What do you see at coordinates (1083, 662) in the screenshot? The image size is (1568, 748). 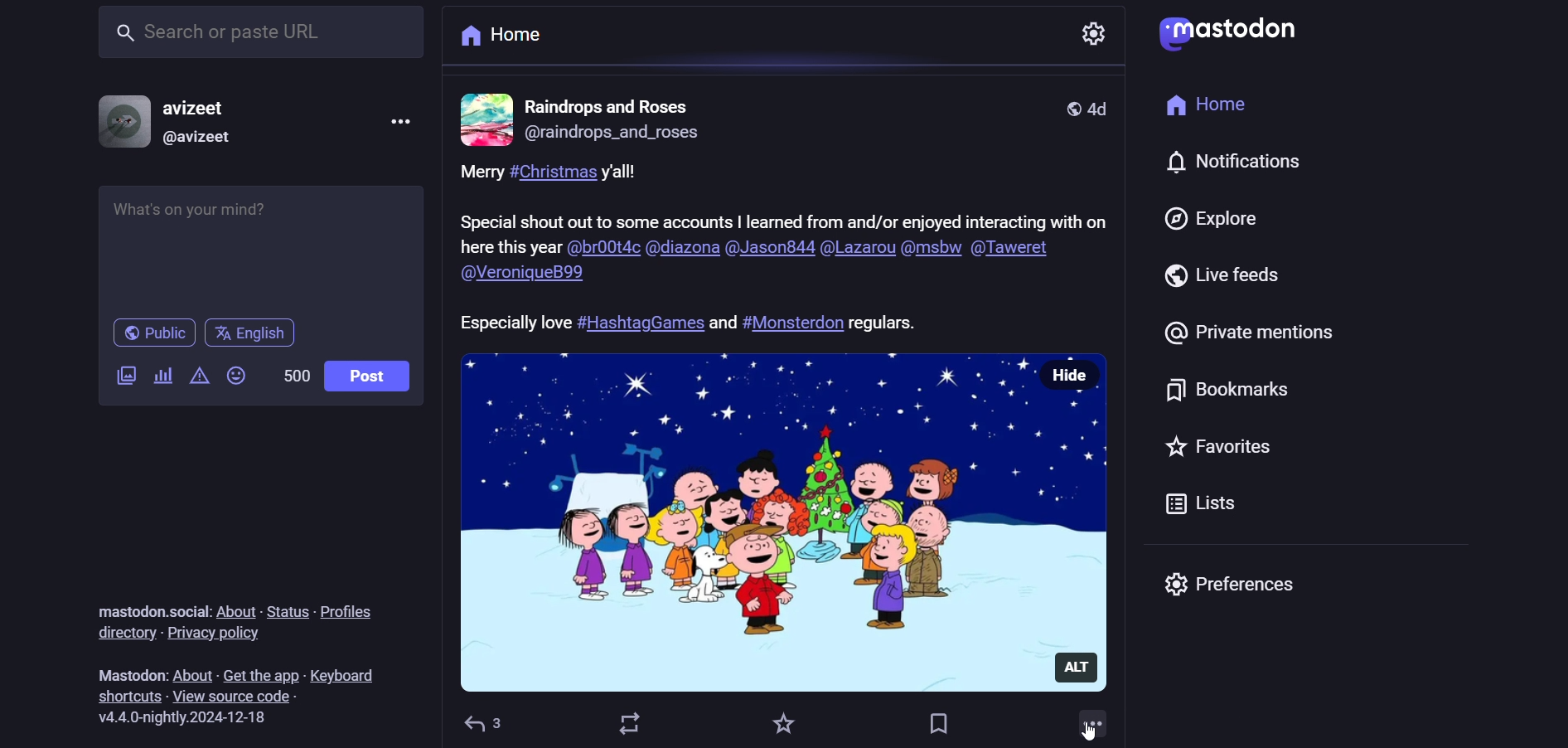 I see `ALT` at bounding box center [1083, 662].